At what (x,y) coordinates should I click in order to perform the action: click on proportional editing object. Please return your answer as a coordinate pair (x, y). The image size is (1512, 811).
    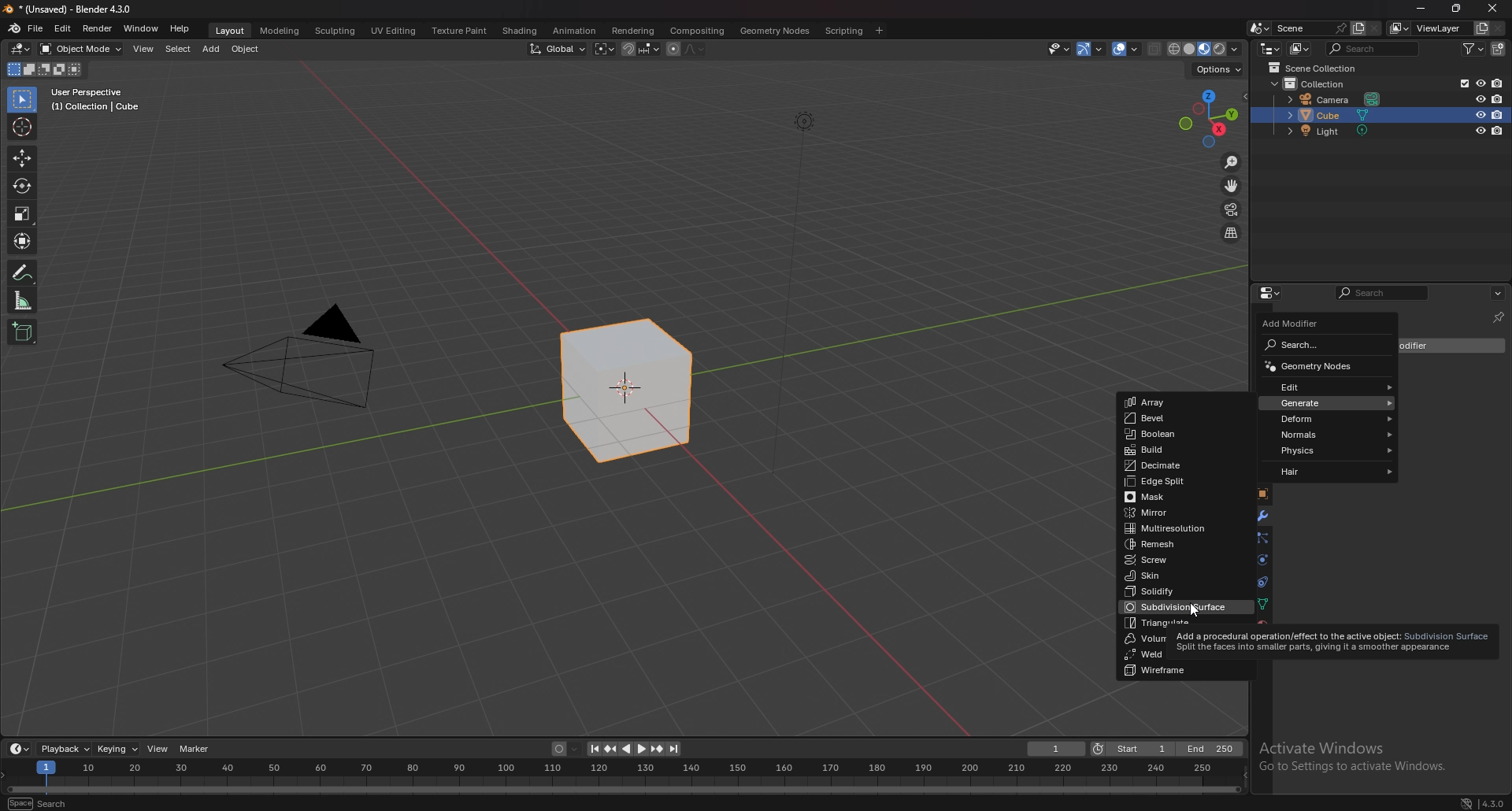
    Looking at the image, I should click on (673, 50).